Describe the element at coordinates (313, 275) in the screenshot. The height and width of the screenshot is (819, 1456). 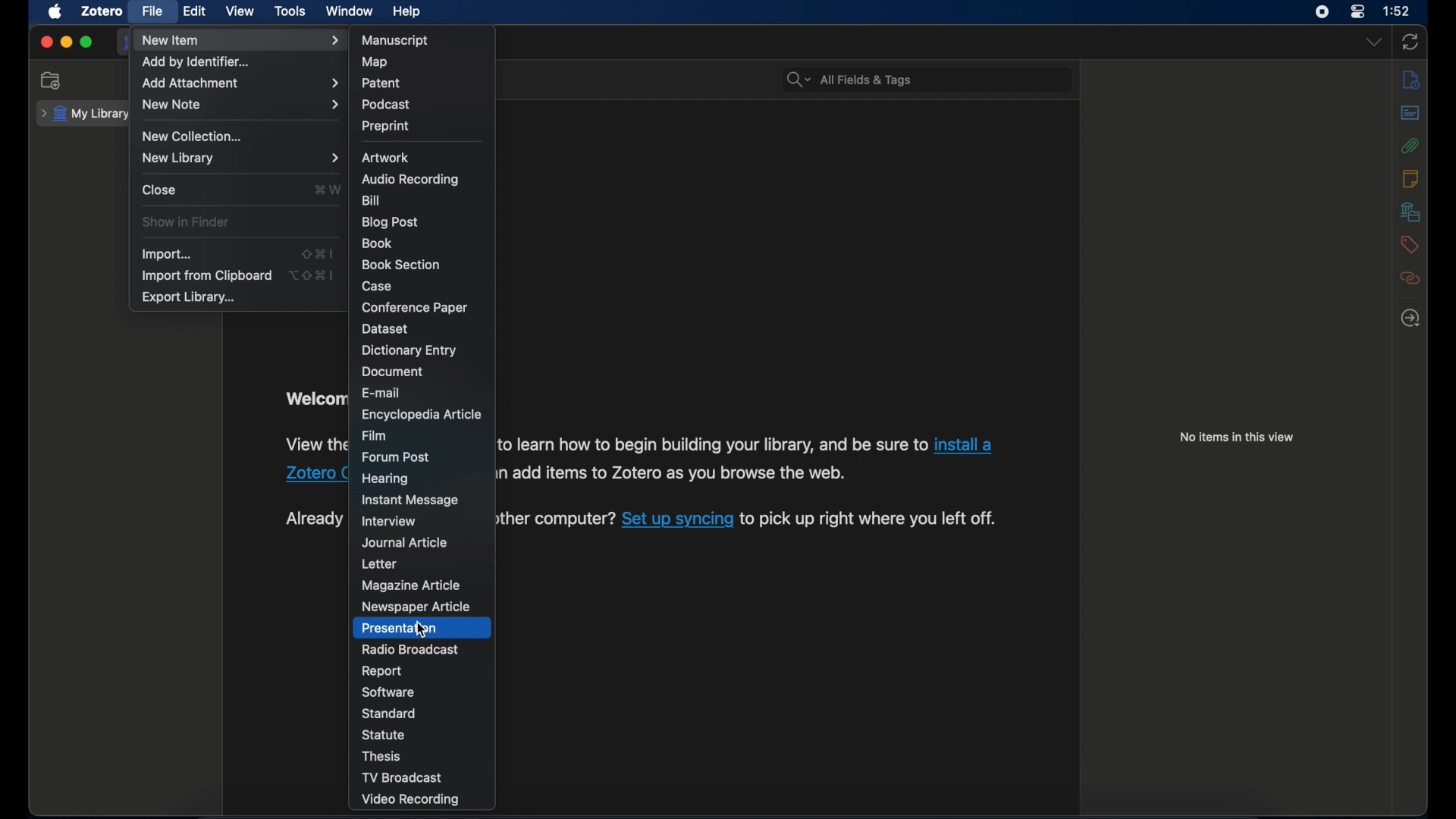
I see `option + shift + command + I` at that location.